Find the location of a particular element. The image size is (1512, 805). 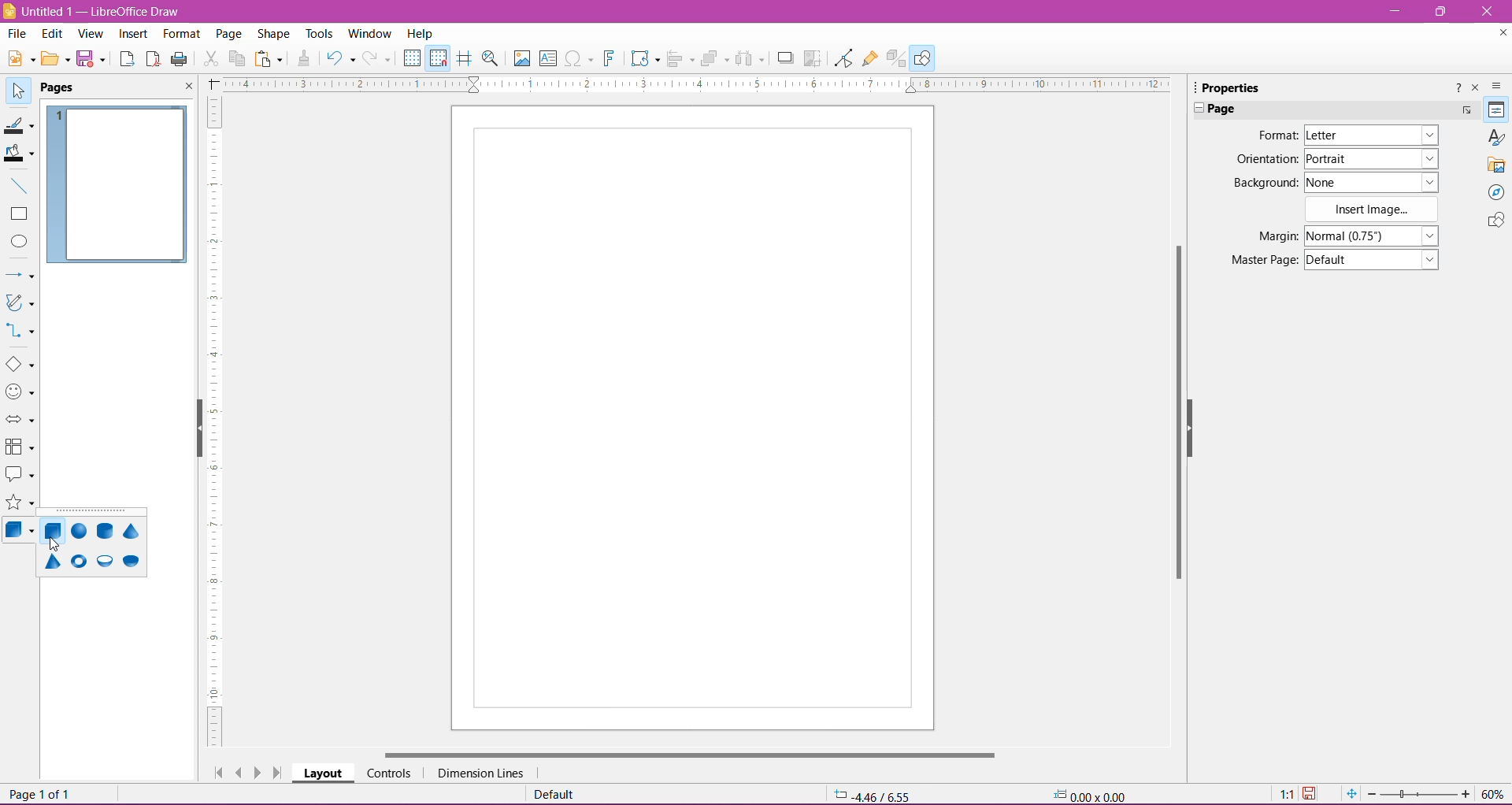

Shape is located at coordinates (273, 35).